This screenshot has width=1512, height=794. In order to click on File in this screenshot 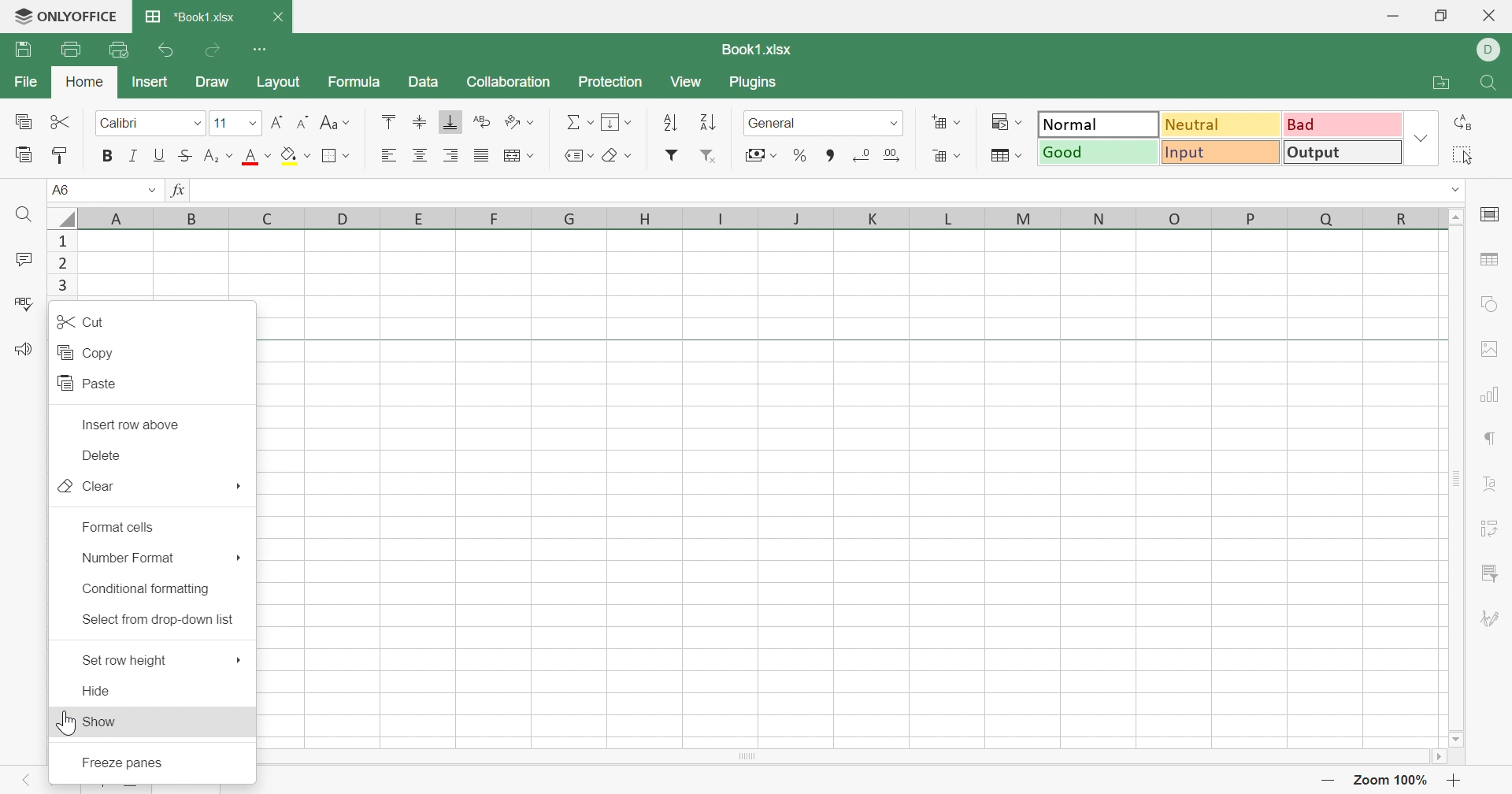, I will do `click(25, 78)`.